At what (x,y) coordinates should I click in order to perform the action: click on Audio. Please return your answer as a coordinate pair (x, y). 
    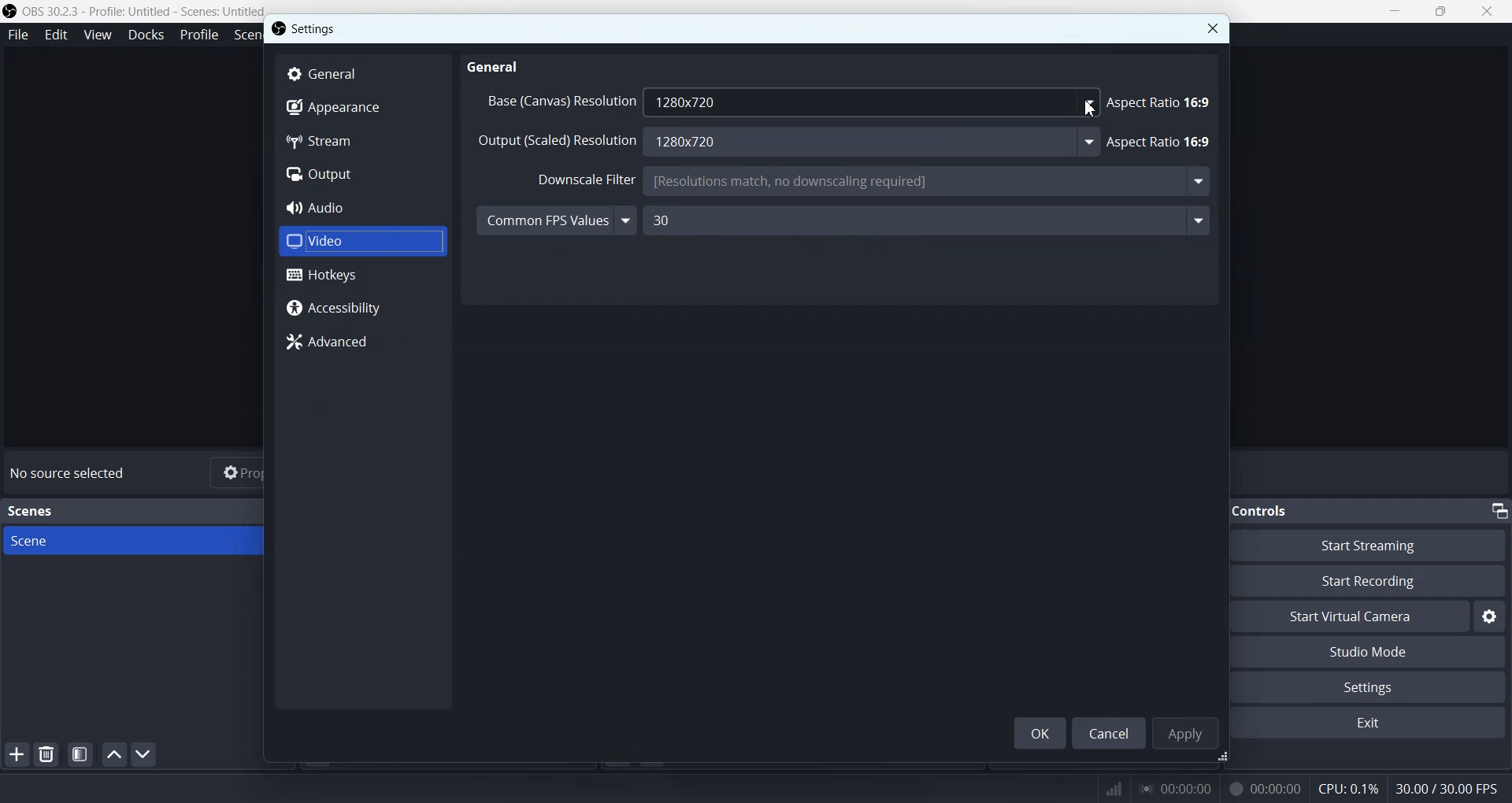
    Looking at the image, I should click on (362, 207).